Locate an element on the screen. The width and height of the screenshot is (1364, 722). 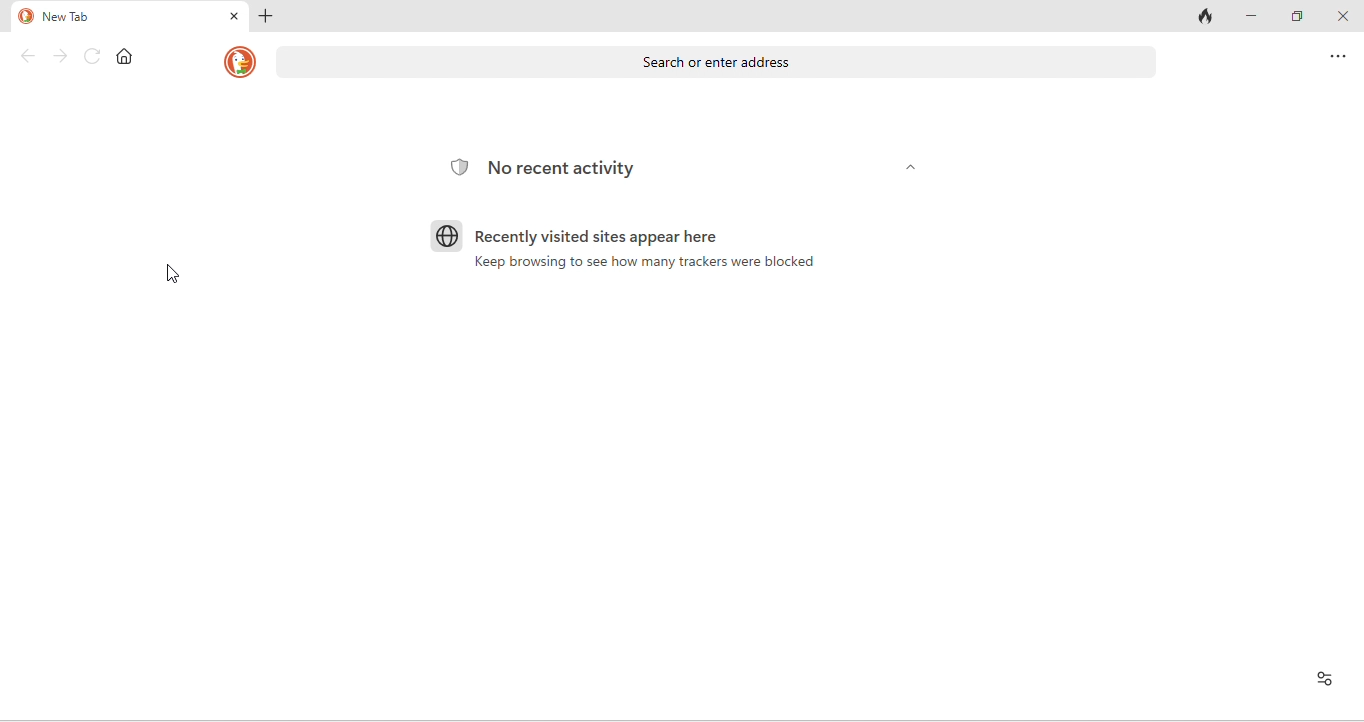
close tab and clear data is located at coordinates (1206, 18).